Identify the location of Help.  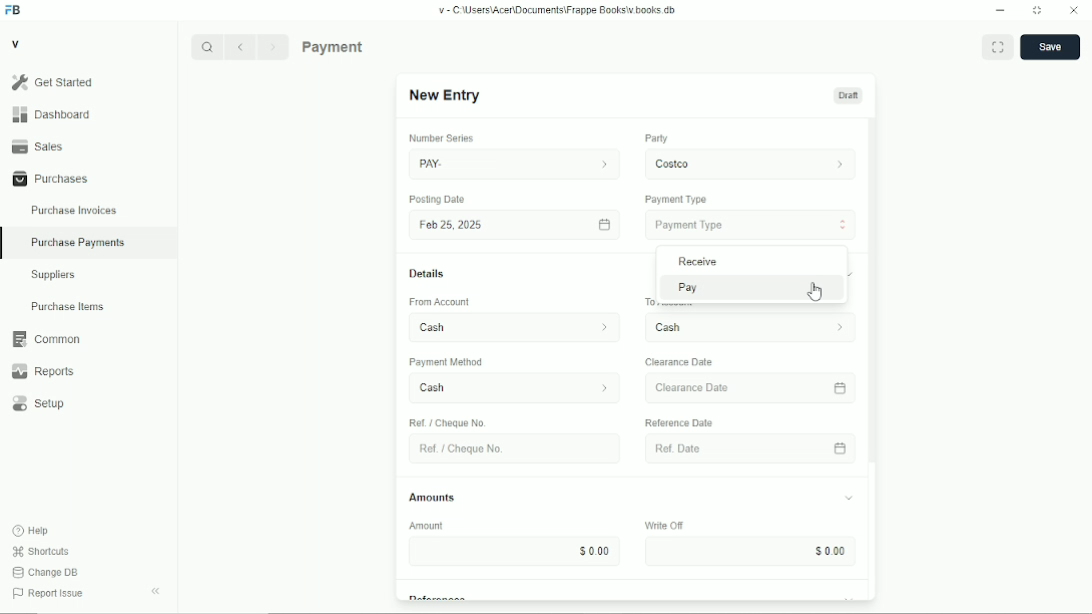
(31, 531).